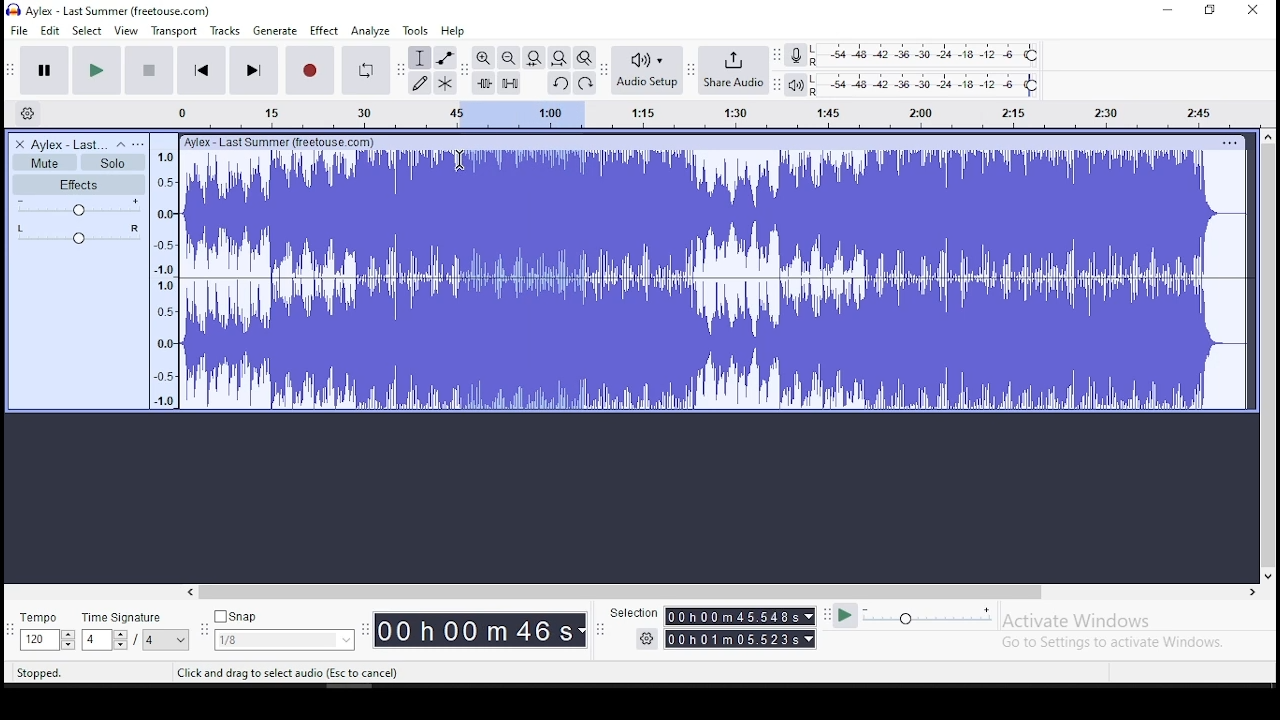 The height and width of the screenshot is (720, 1280). I want to click on share audio, so click(736, 71).